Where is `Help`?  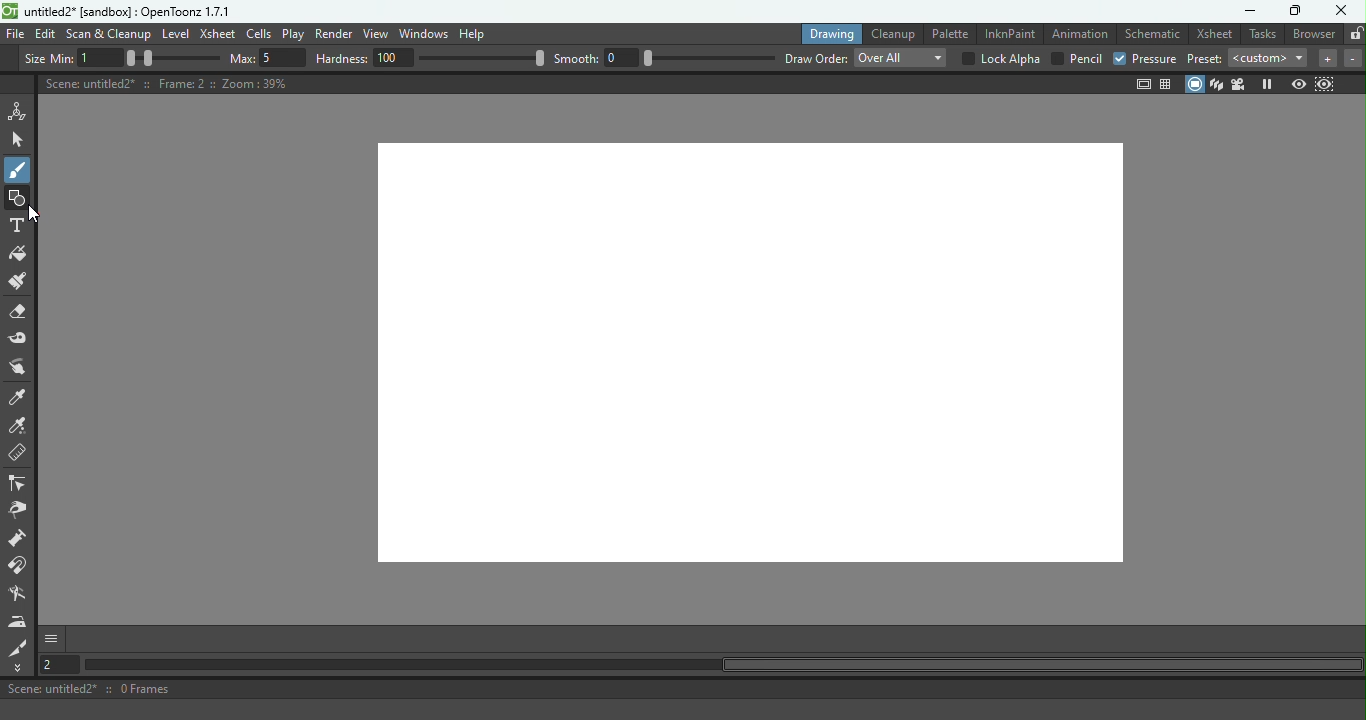 Help is located at coordinates (471, 33).